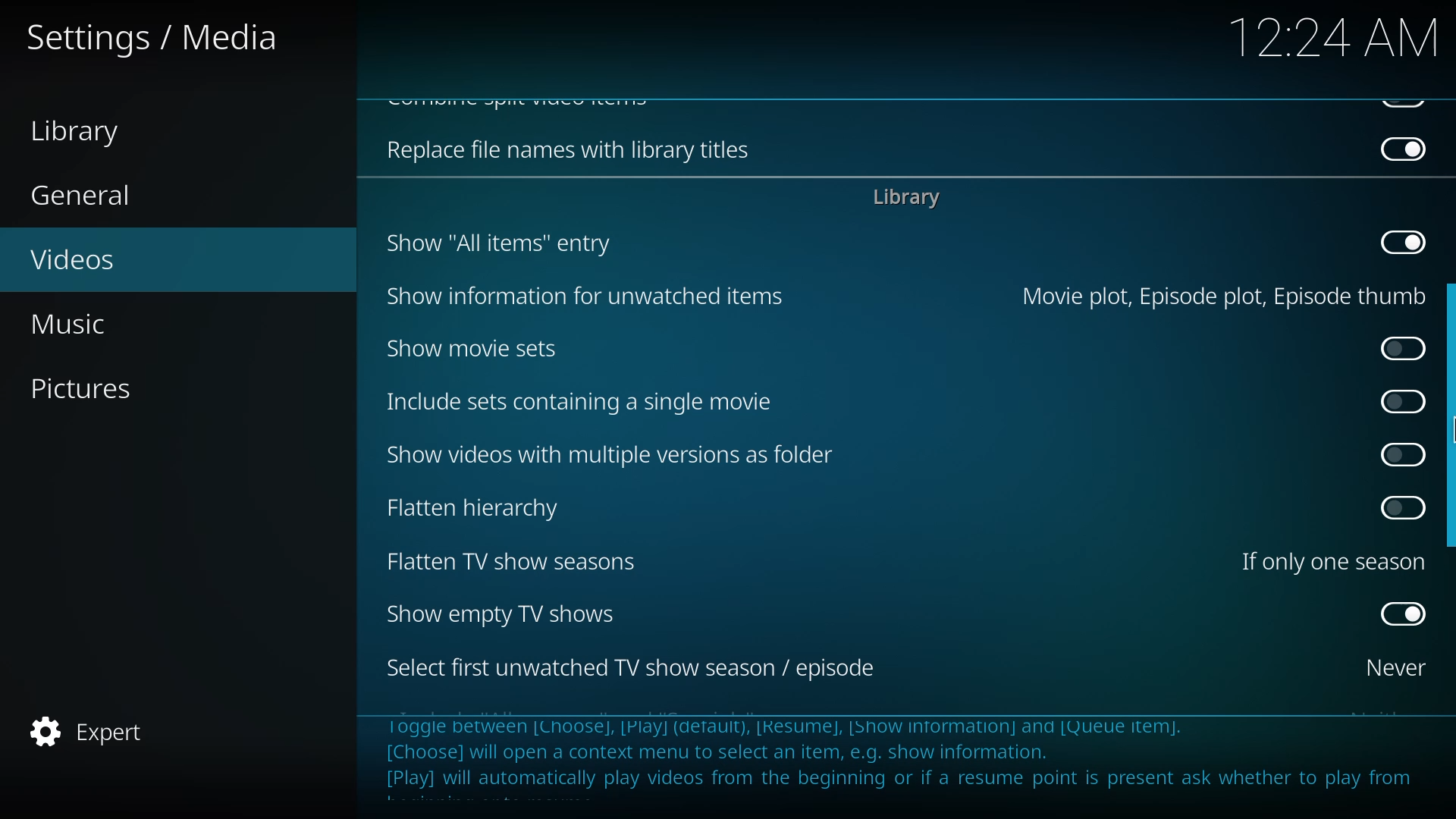 The height and width of the screenshot is (819, 1456). Describe the element at coordinates (910, 760) in the screenshot. I see `info` at that location.